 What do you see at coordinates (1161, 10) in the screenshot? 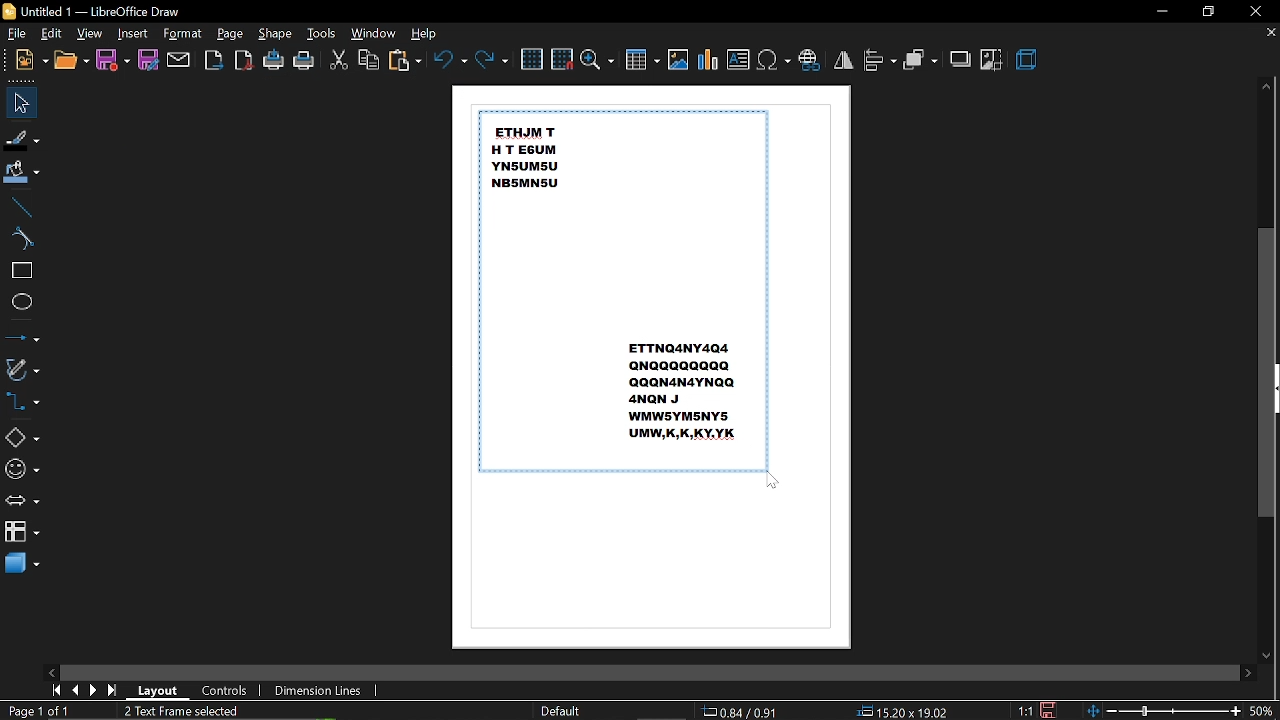
I see `minimize` at bounding box center [1161, 10].